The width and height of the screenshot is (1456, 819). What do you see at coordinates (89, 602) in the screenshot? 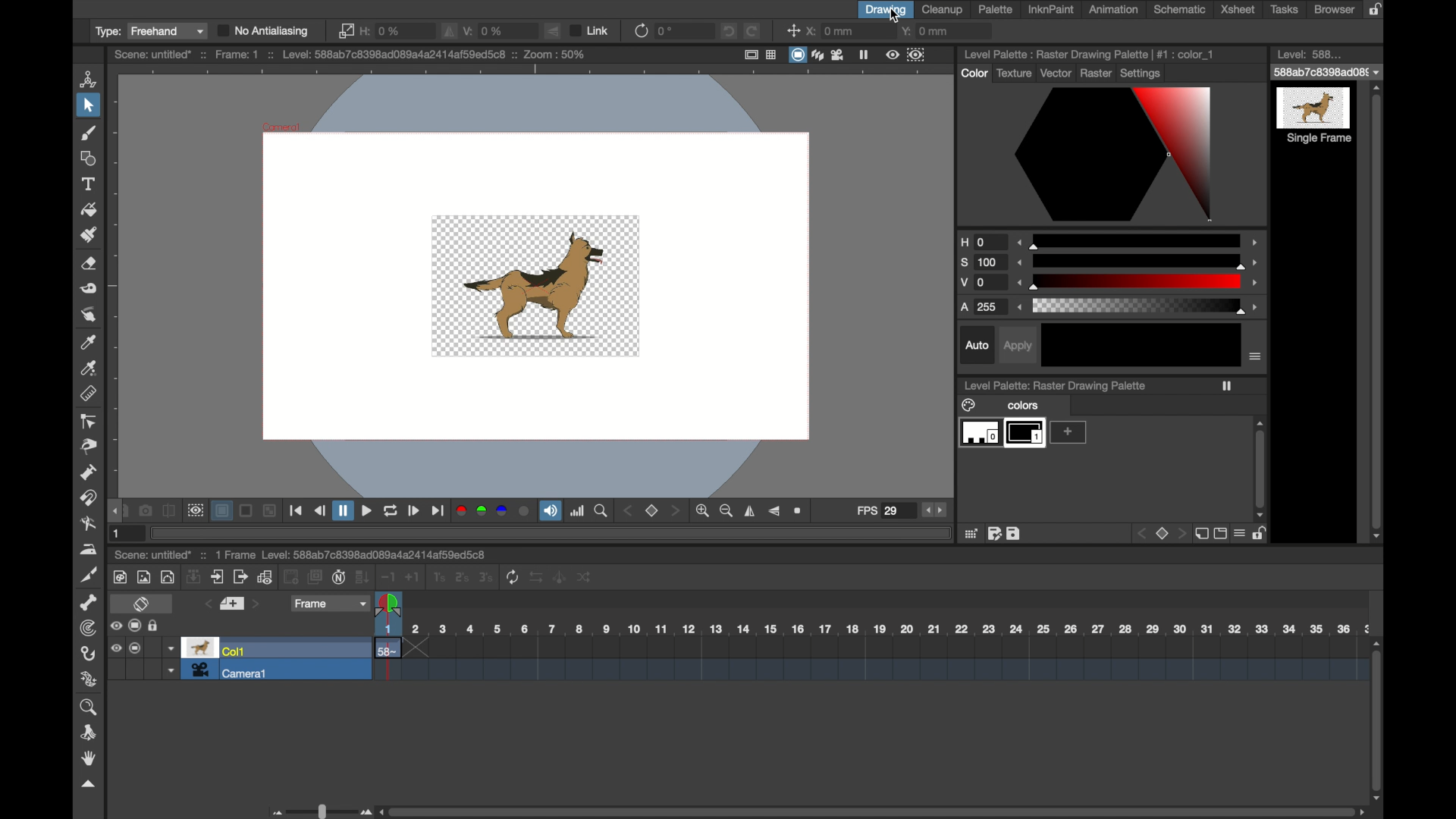
I see `skeleton tool` at bounding box center [89, 602].